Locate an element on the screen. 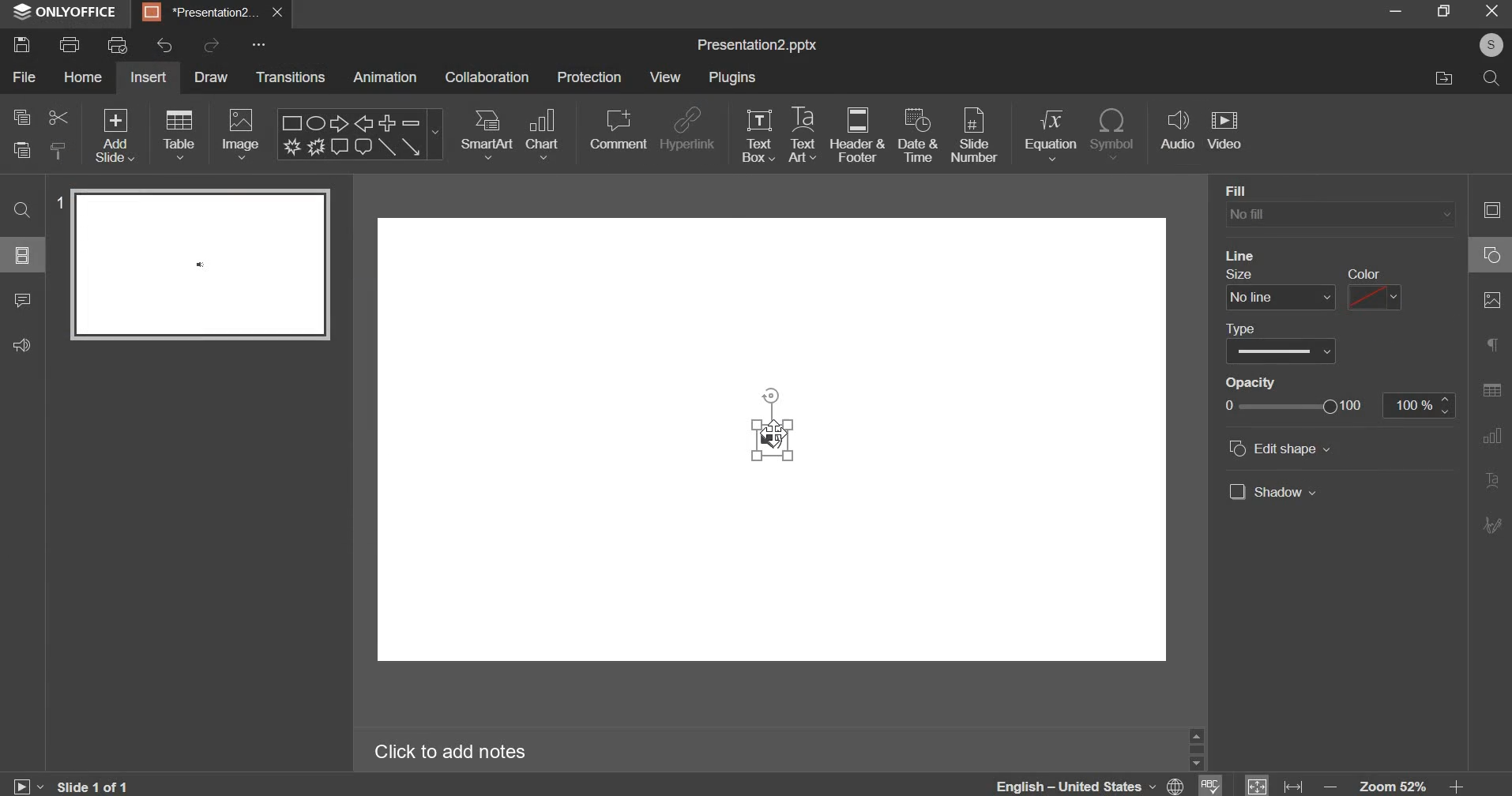 The image size is (1512, 796). line type is located at coordinates (1281, 351).